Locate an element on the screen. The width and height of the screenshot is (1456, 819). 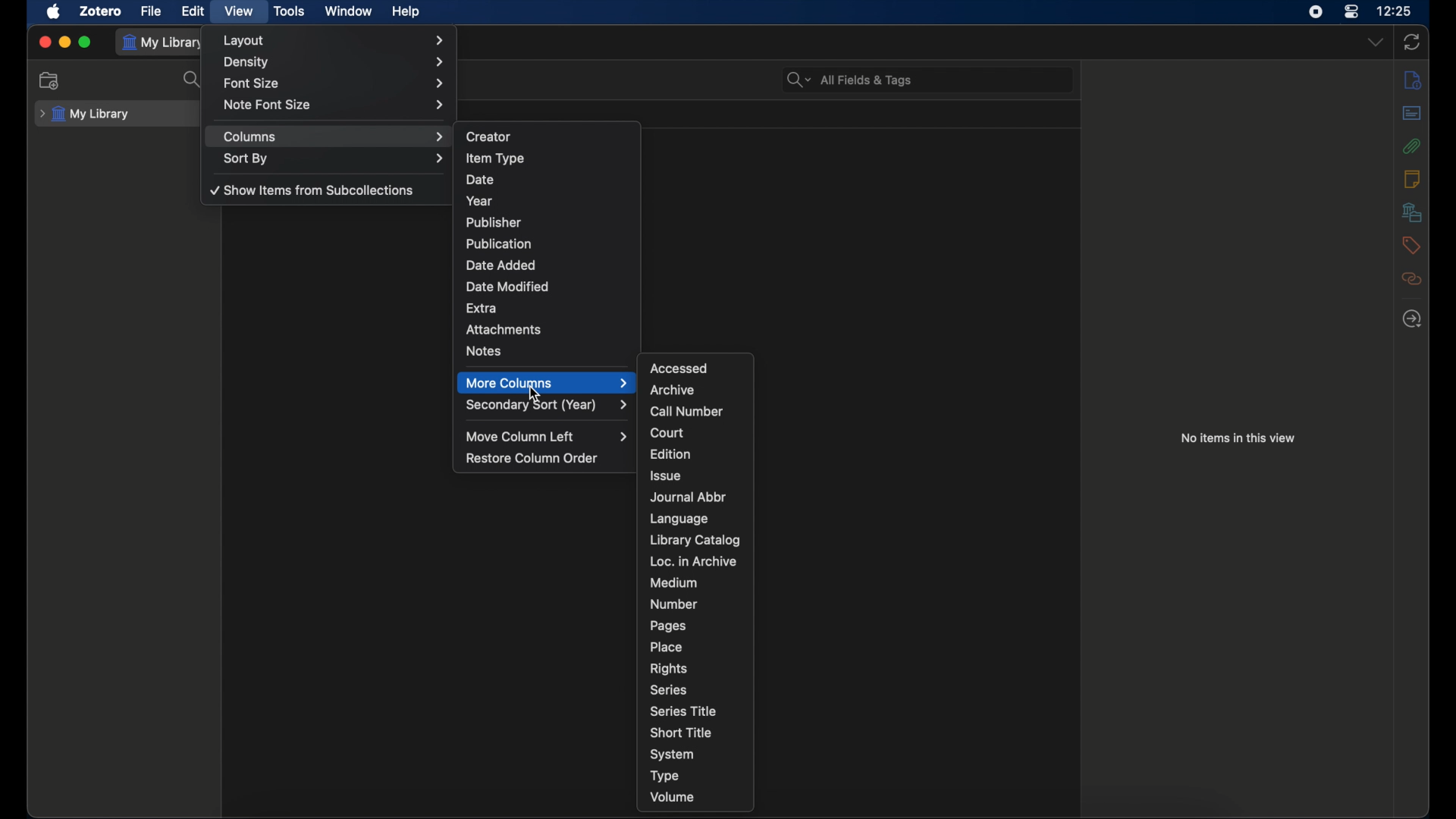
apple is located at coordinates (53, 12).